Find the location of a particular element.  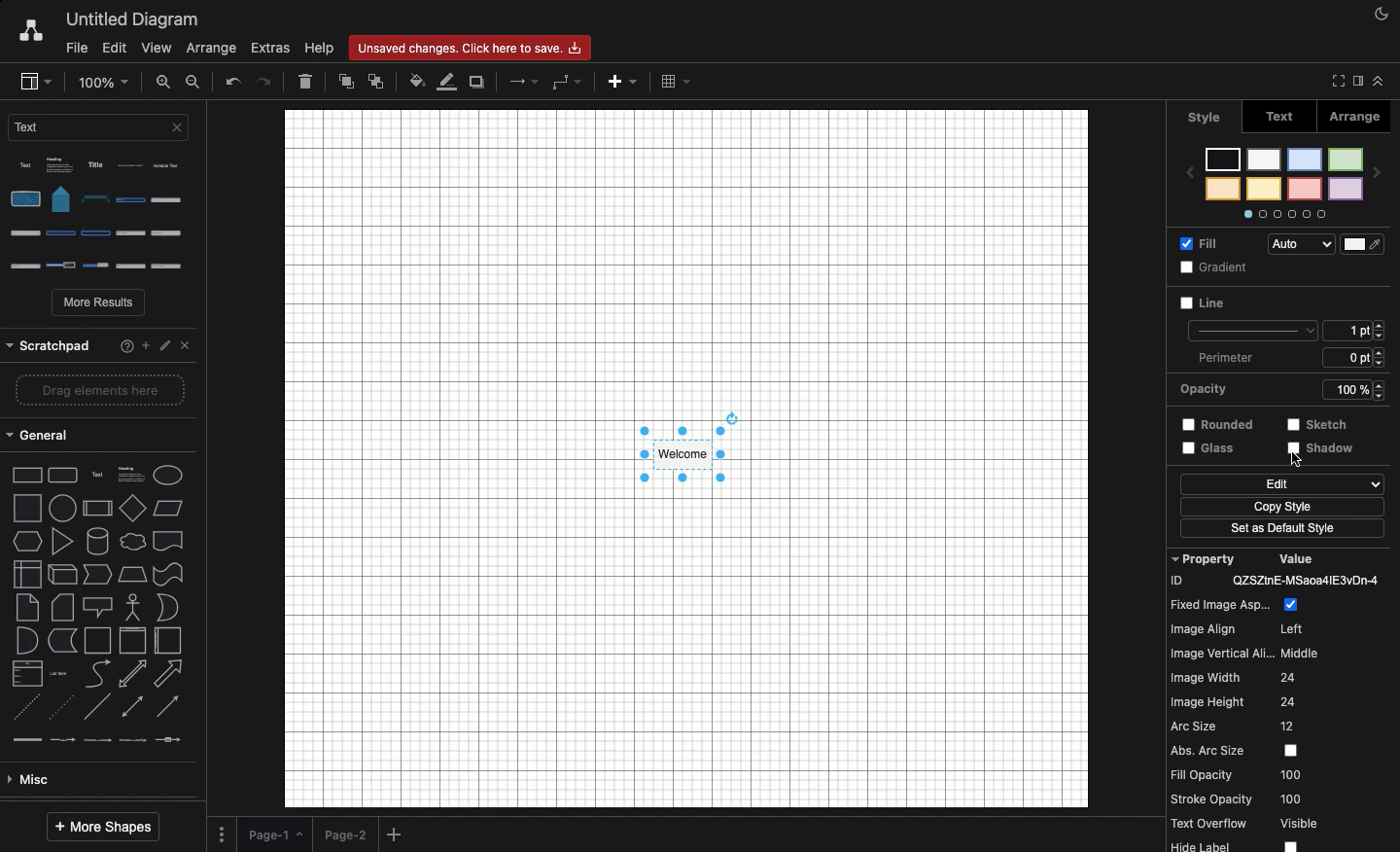

Help is located at coordinates (319, 49).